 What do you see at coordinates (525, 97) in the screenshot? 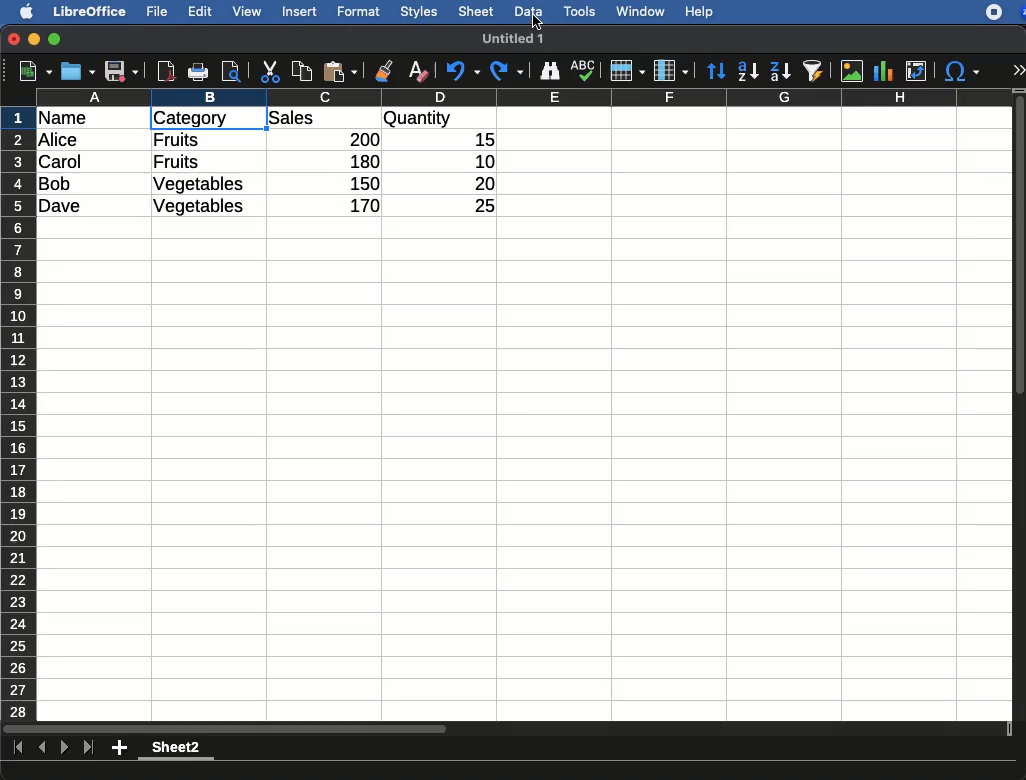
I see `column` at bounding box center [525, 97].